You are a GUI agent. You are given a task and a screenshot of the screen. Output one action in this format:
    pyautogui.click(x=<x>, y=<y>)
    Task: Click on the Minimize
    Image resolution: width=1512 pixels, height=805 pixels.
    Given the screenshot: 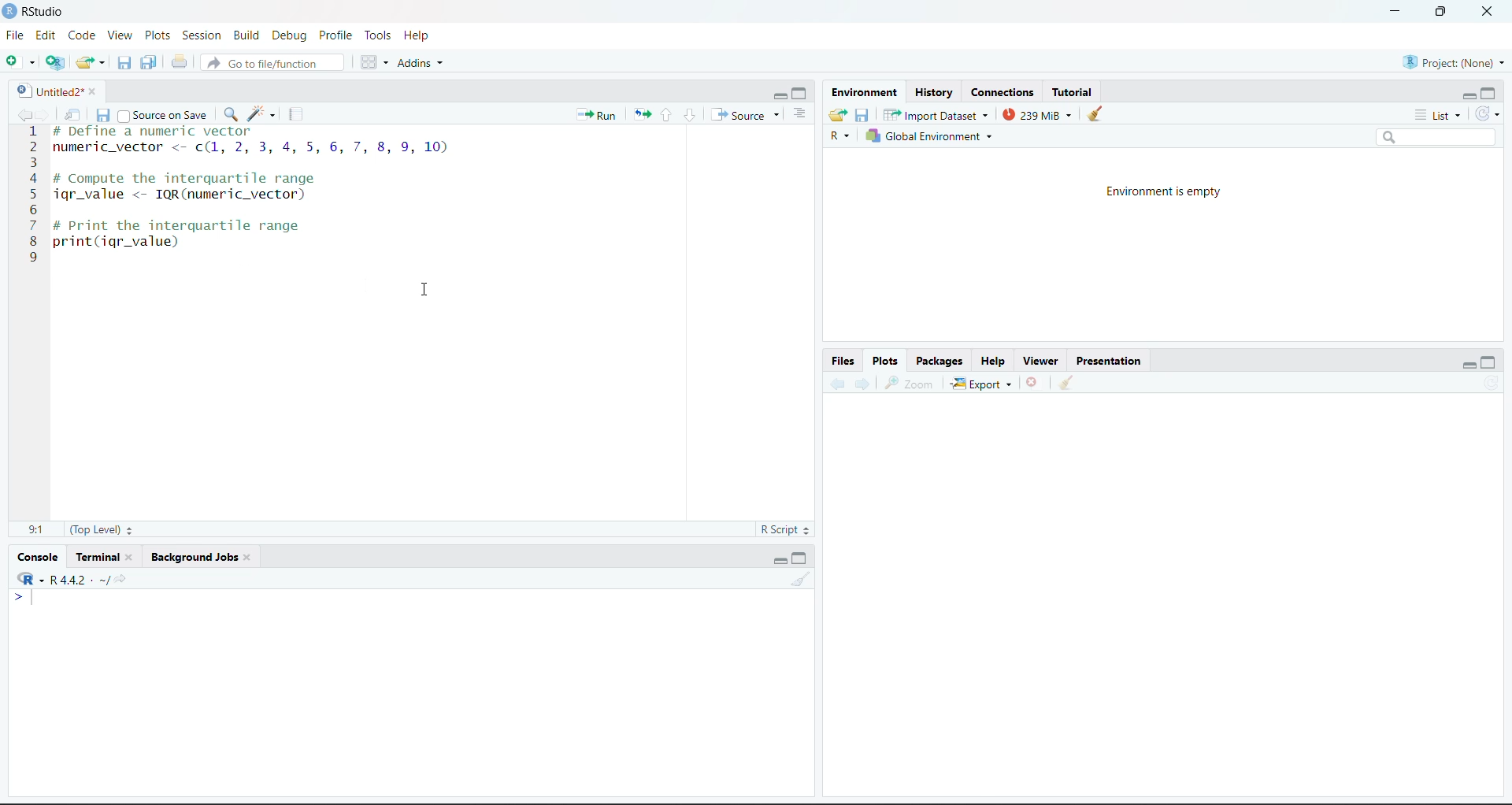 What is the action you would take?
    pyautogui.click(x=778, y=94)
    